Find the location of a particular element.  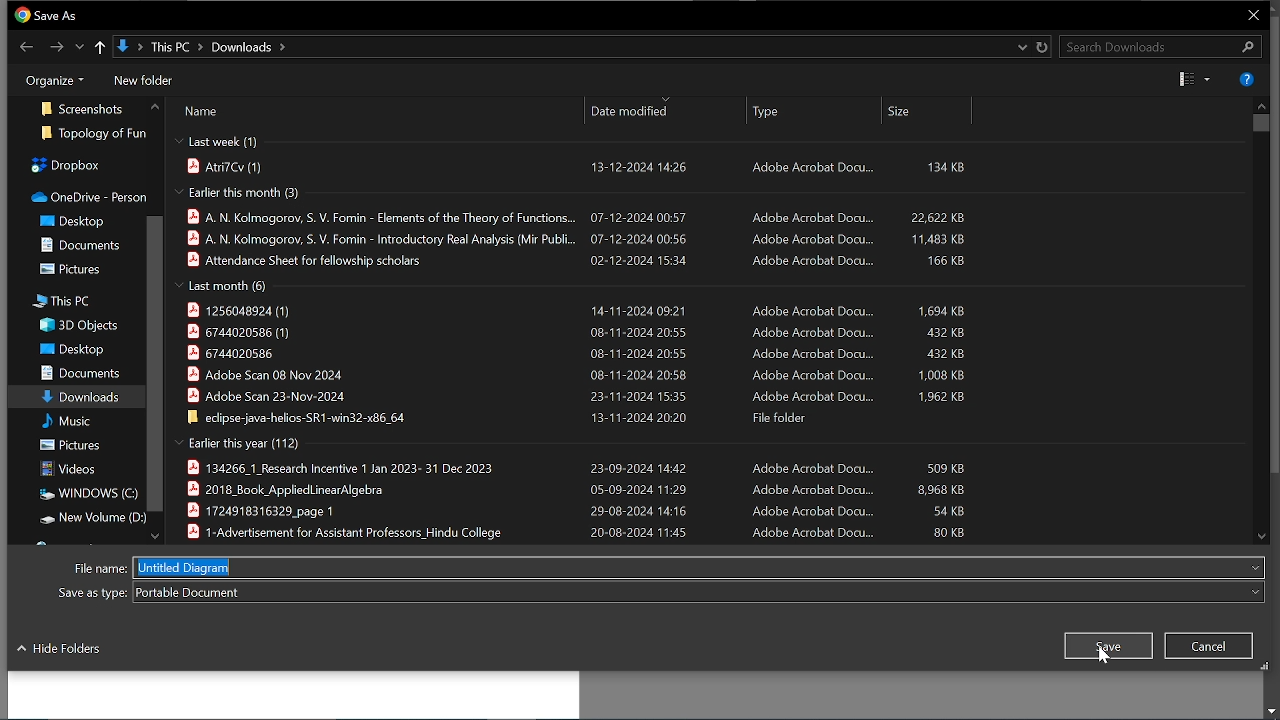

pictures is located at coordinates (70, 446).